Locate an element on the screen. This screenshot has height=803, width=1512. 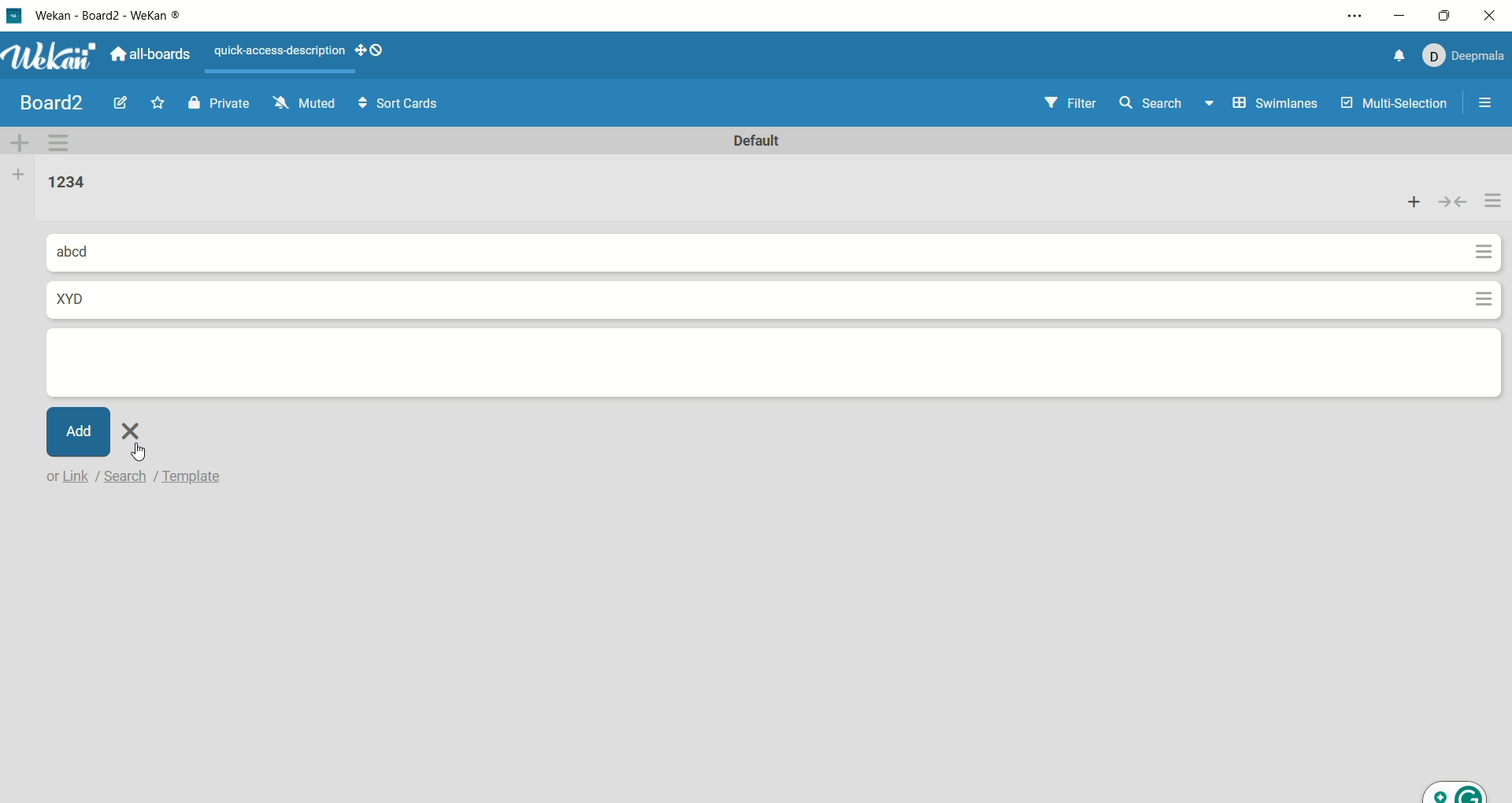
show-desktop-drag-handles is located at coordinates (361, 48).